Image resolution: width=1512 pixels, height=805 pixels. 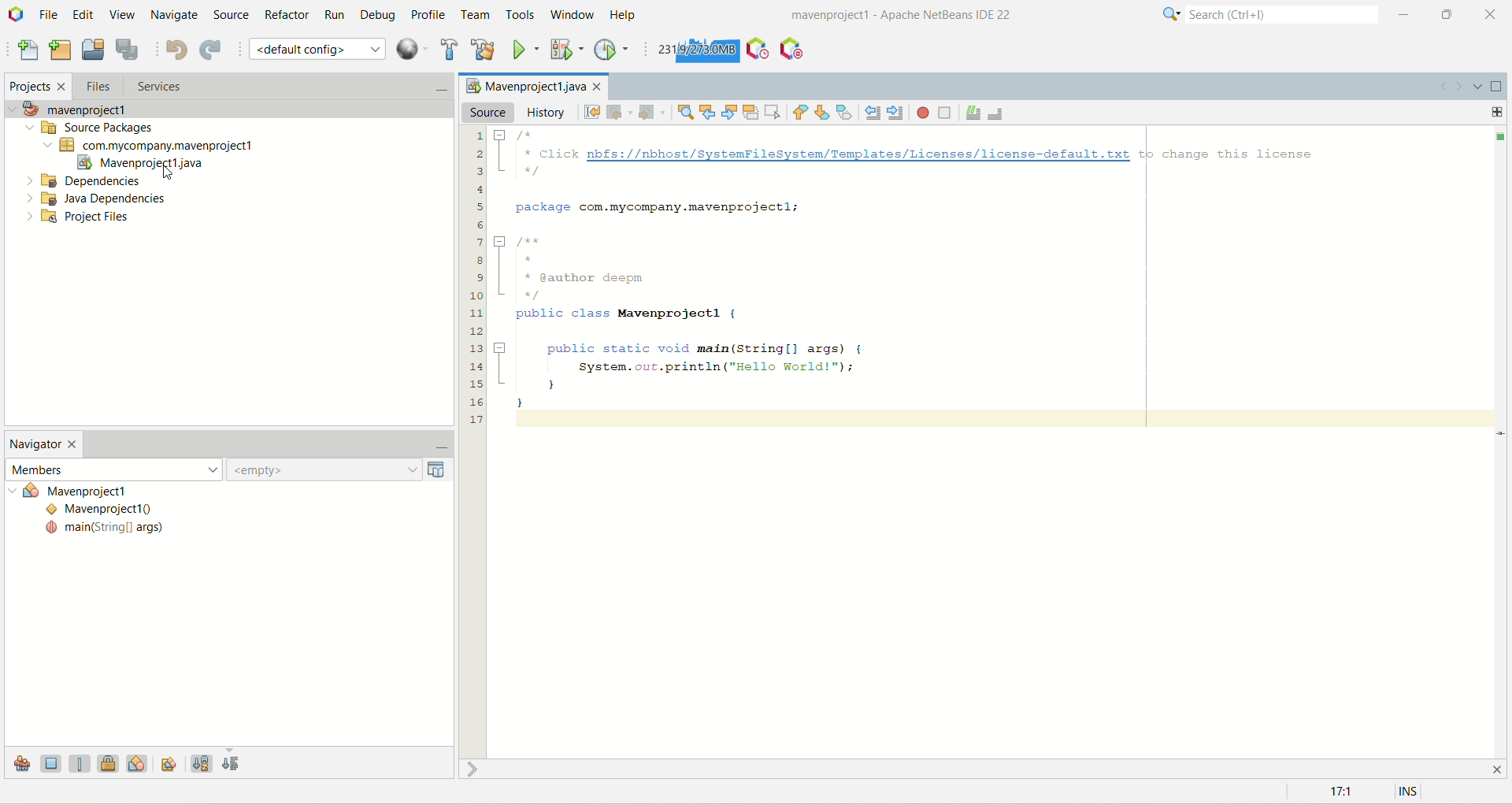 What do you see at coordinates (213, 51) in the screenshot?
I see `redo` at bounding box center [213, 51].